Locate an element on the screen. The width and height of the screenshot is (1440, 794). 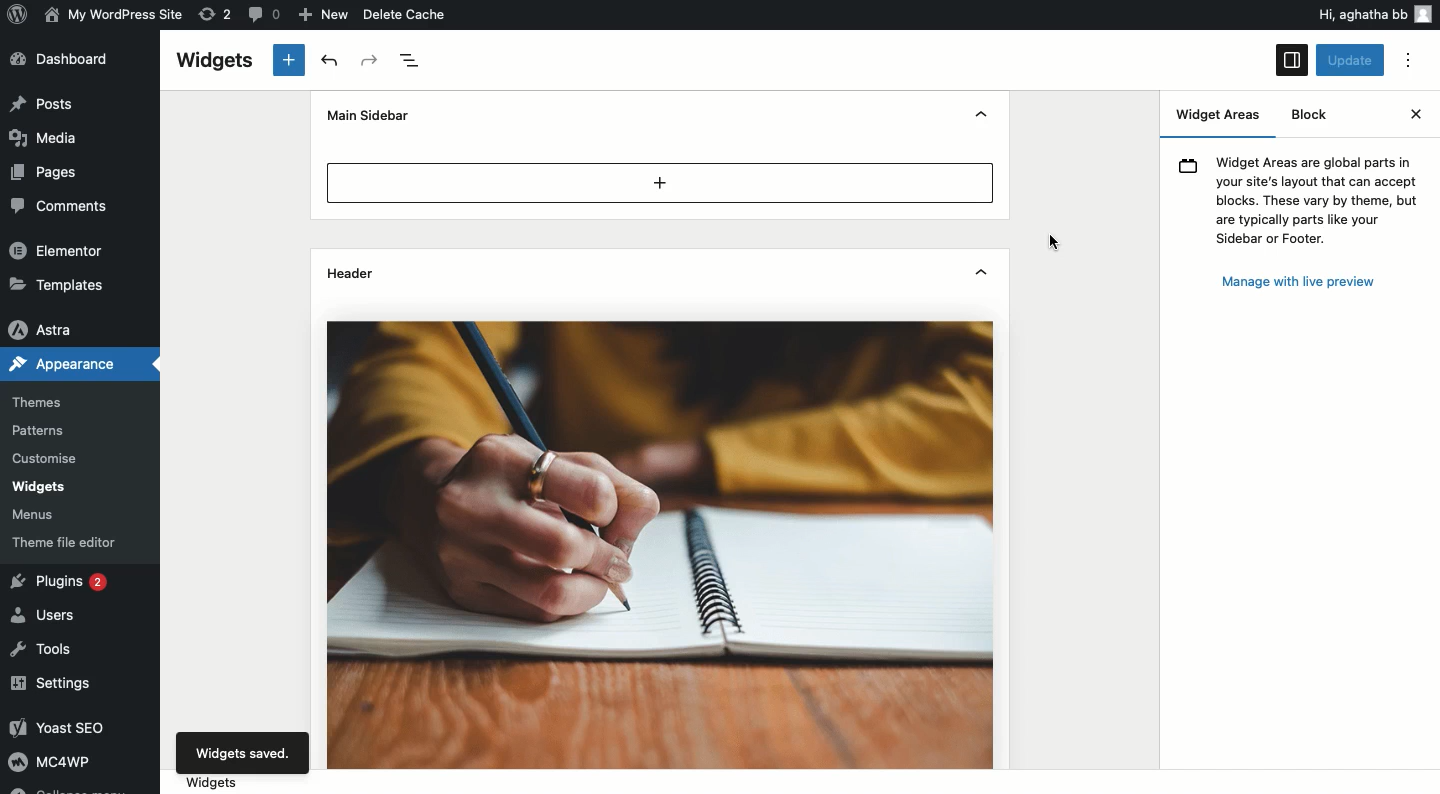
Options is located at coordinates (1408, 61).